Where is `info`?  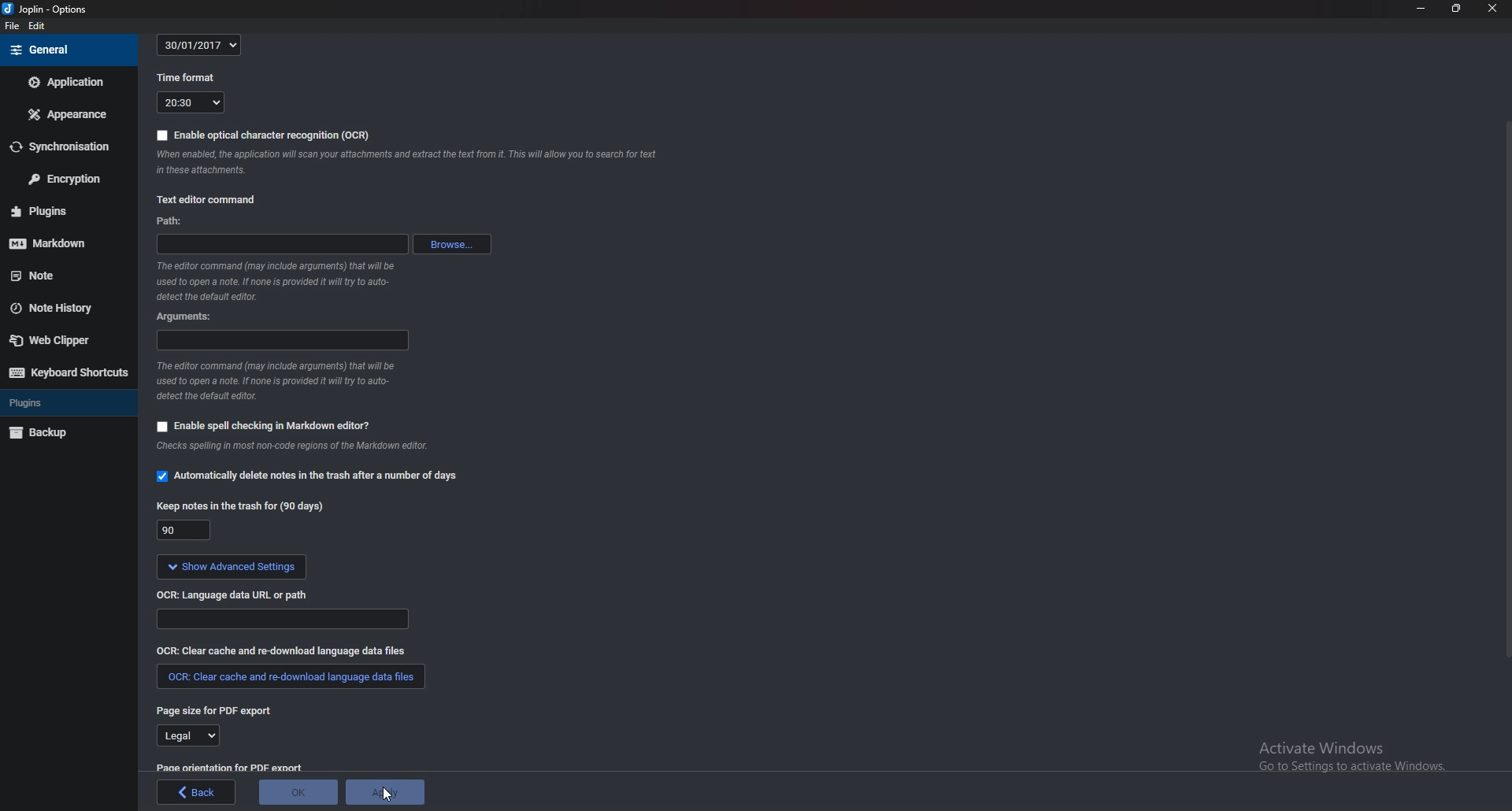
info is located at coordinates (328, 448).